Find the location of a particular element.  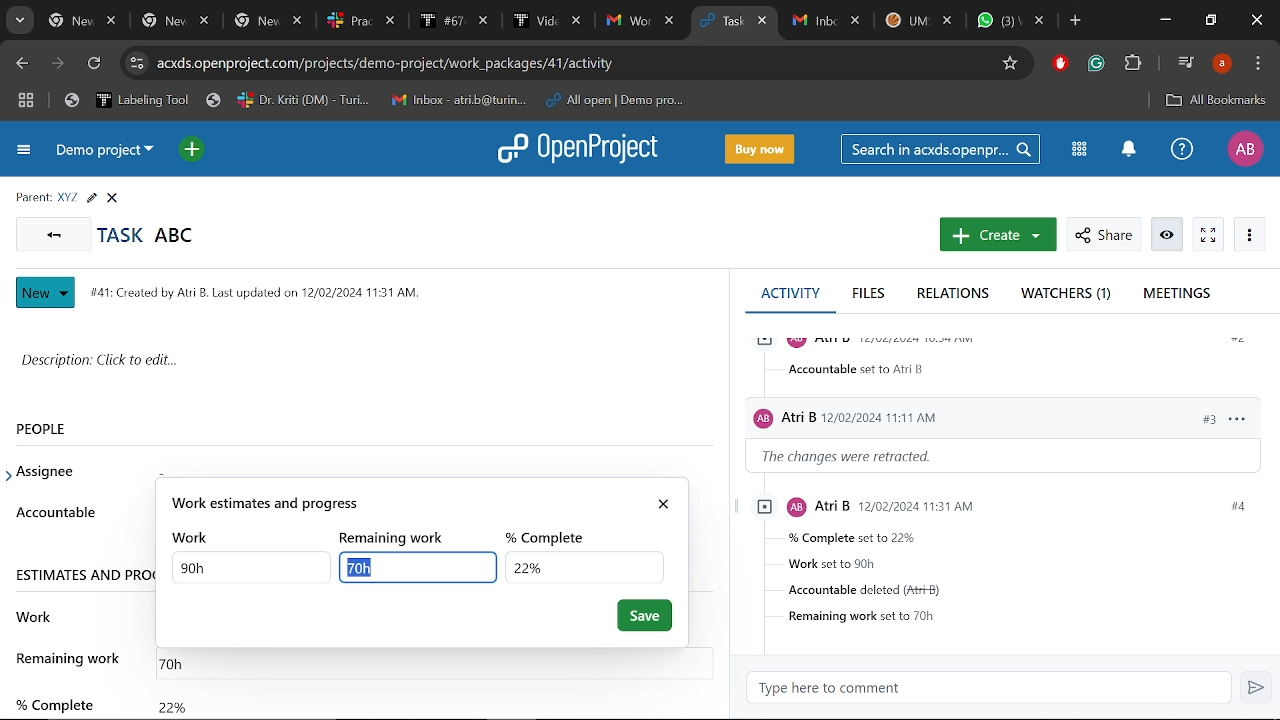

Edit is located at coordinates (91, 198).